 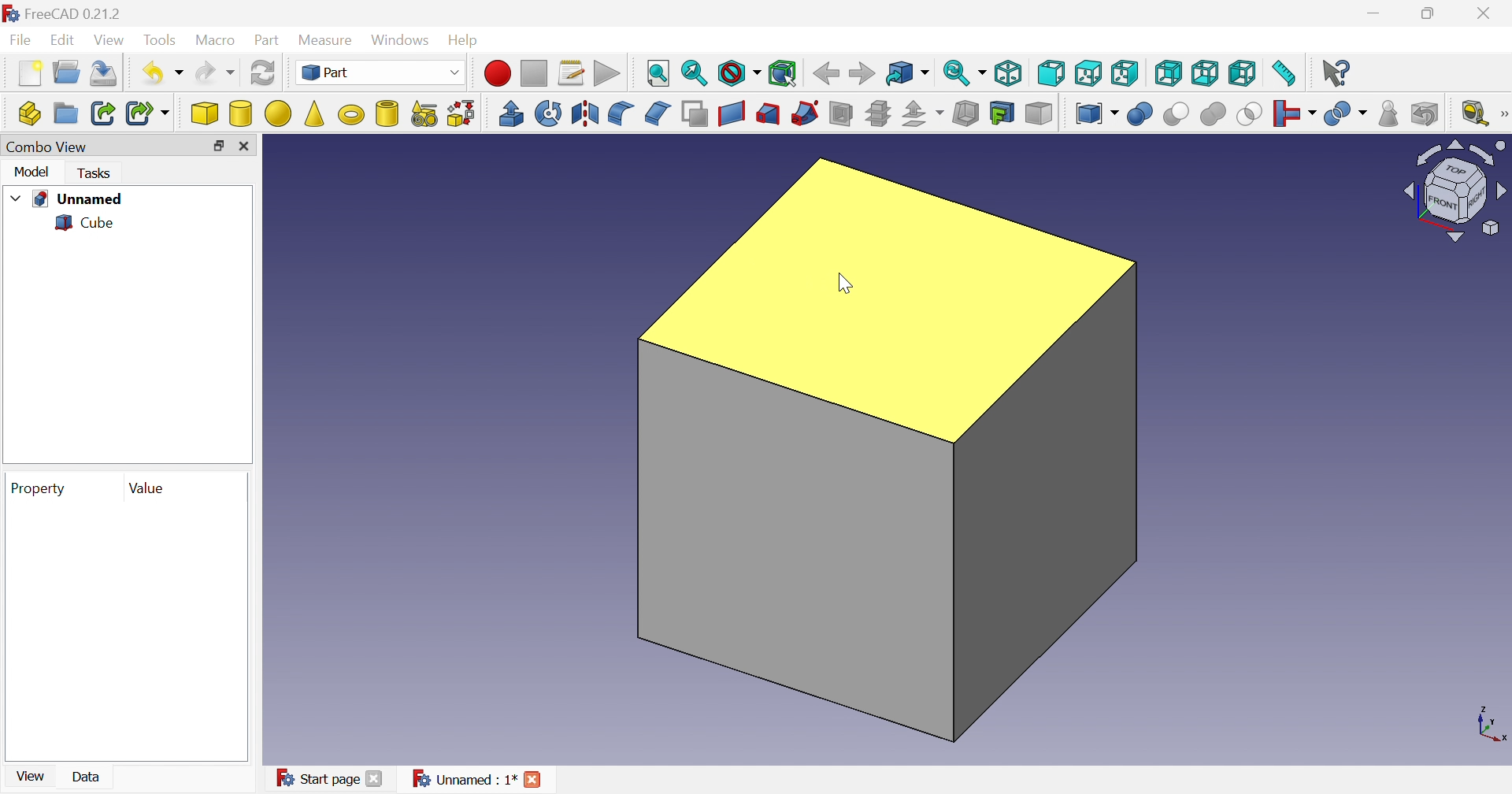 What do you see at coordinates (879, 113) in the screenshot?
I see `Cross-sections` at bounding box center [879, 113].